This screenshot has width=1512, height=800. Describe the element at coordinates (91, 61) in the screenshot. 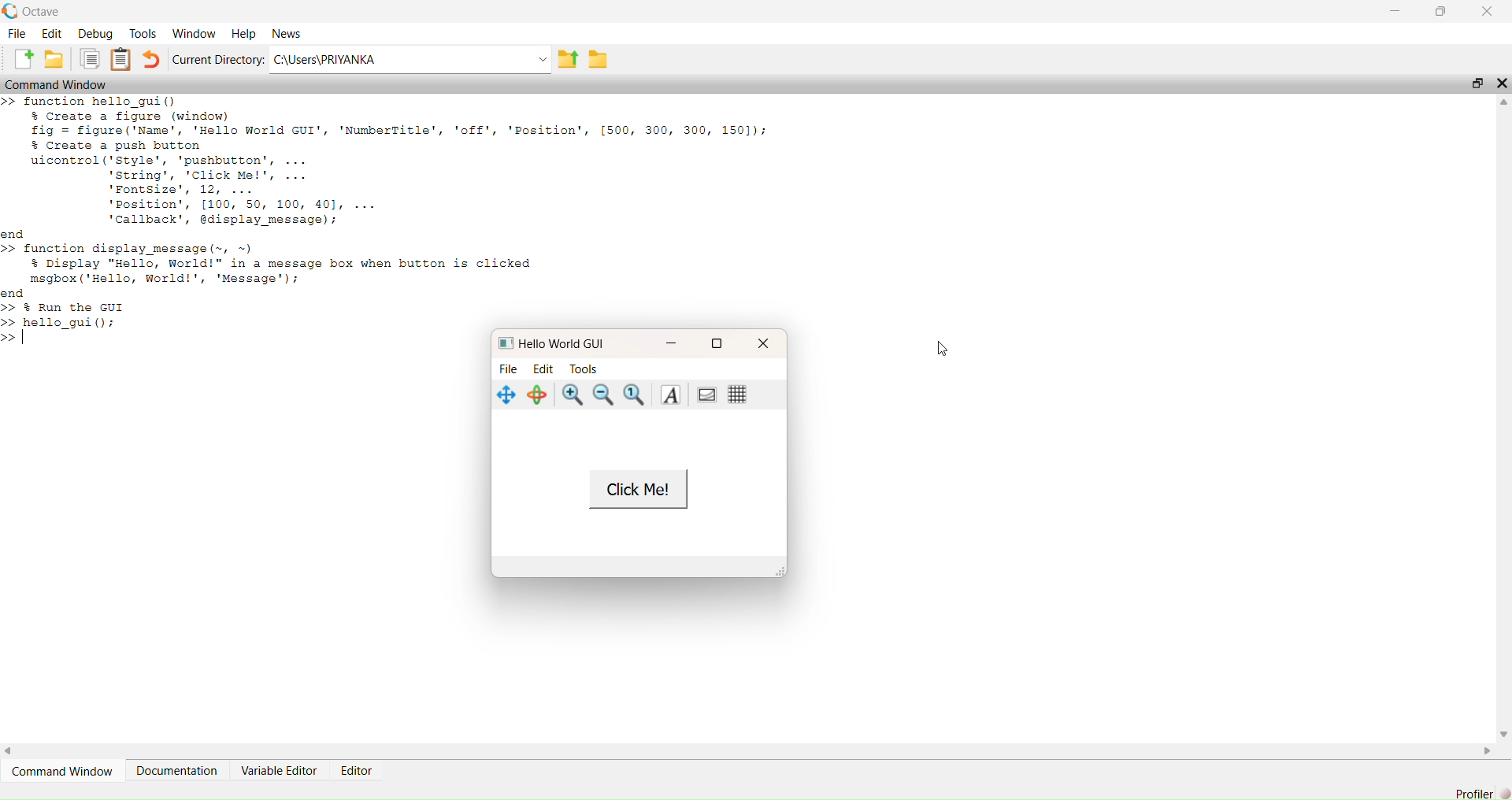

I see `copy` at that location.